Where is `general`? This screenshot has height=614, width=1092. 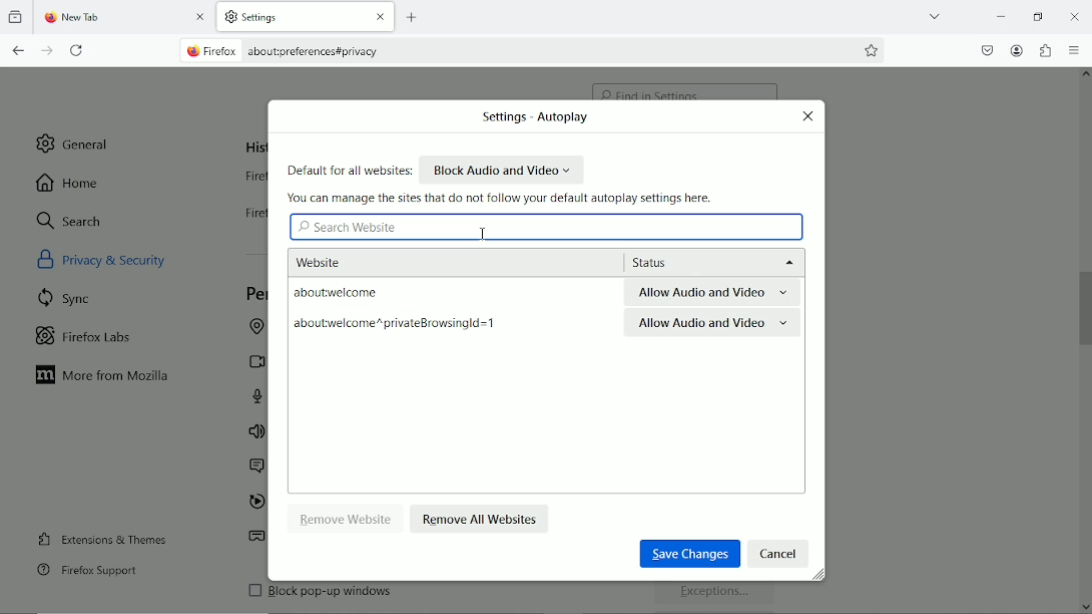 general is located at coordinates (75, 143).